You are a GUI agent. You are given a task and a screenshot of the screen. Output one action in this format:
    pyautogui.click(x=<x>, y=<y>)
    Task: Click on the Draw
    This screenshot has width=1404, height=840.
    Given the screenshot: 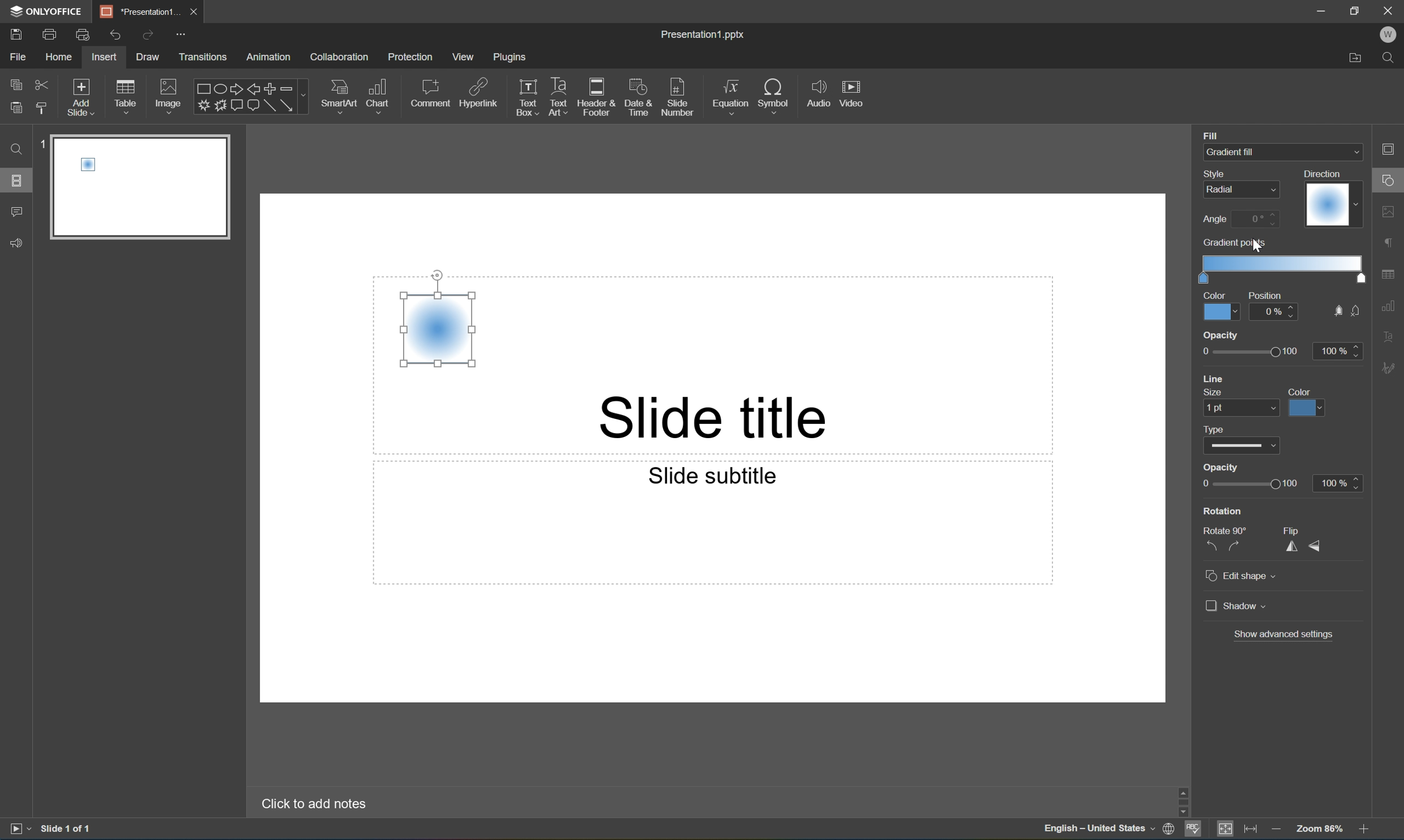 What is the action you would take?
    pyautogui.click(x=149, y=57)
    